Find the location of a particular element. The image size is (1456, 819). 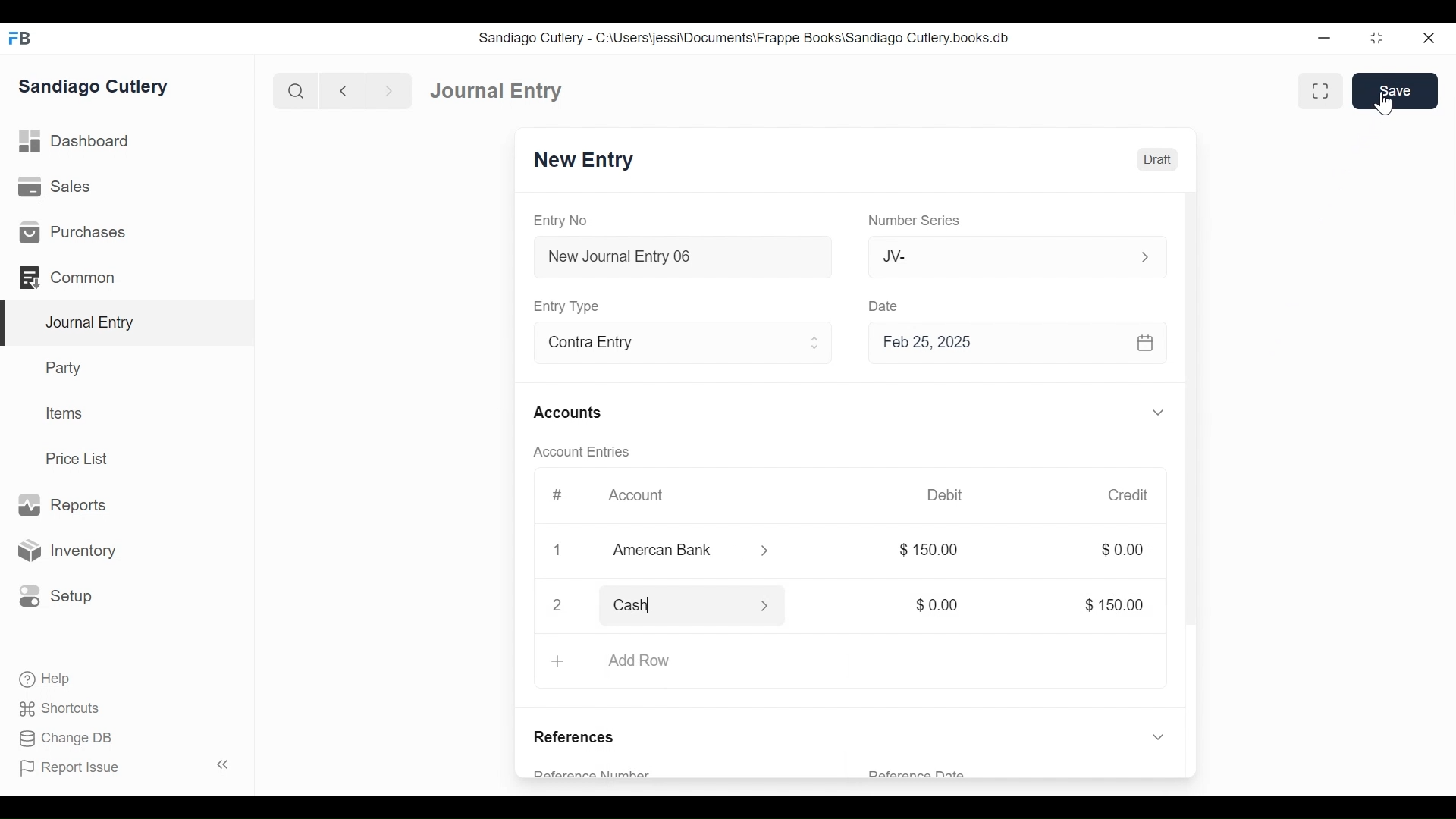

New Entry is located at coordinates (584, 160).